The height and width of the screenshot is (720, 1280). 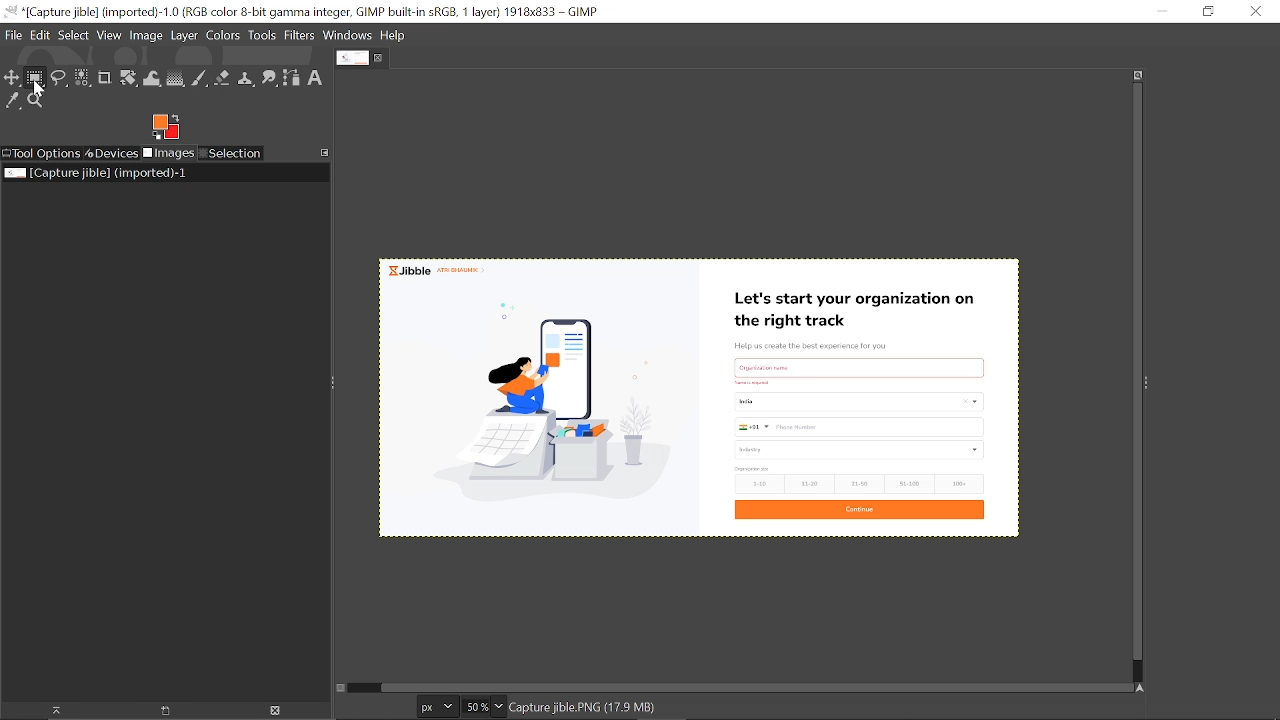 I want to click on Current image, so click(x=94, y=173).